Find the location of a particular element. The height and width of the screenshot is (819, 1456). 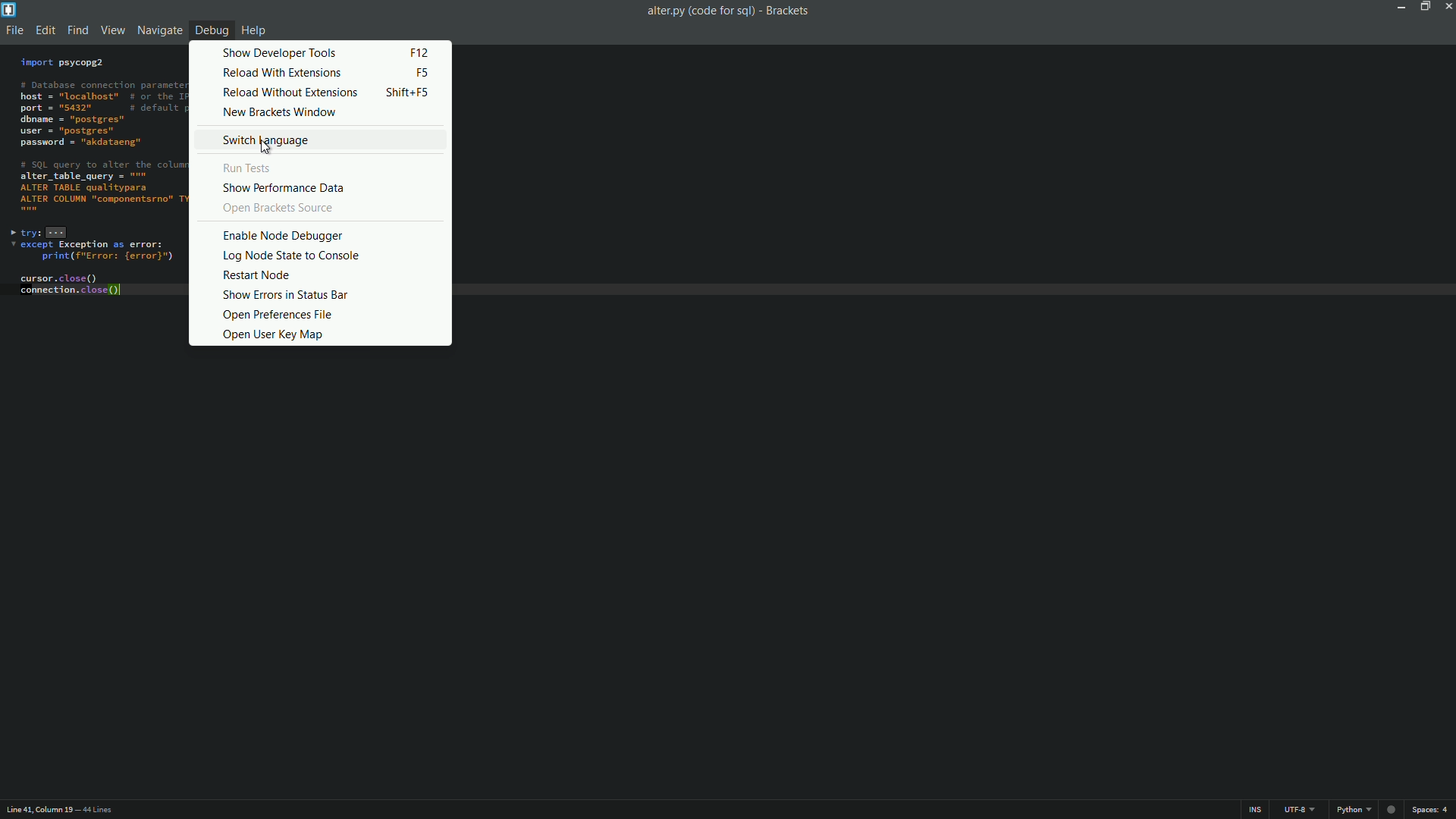

file encoding is located at coordinates (1298, 810).